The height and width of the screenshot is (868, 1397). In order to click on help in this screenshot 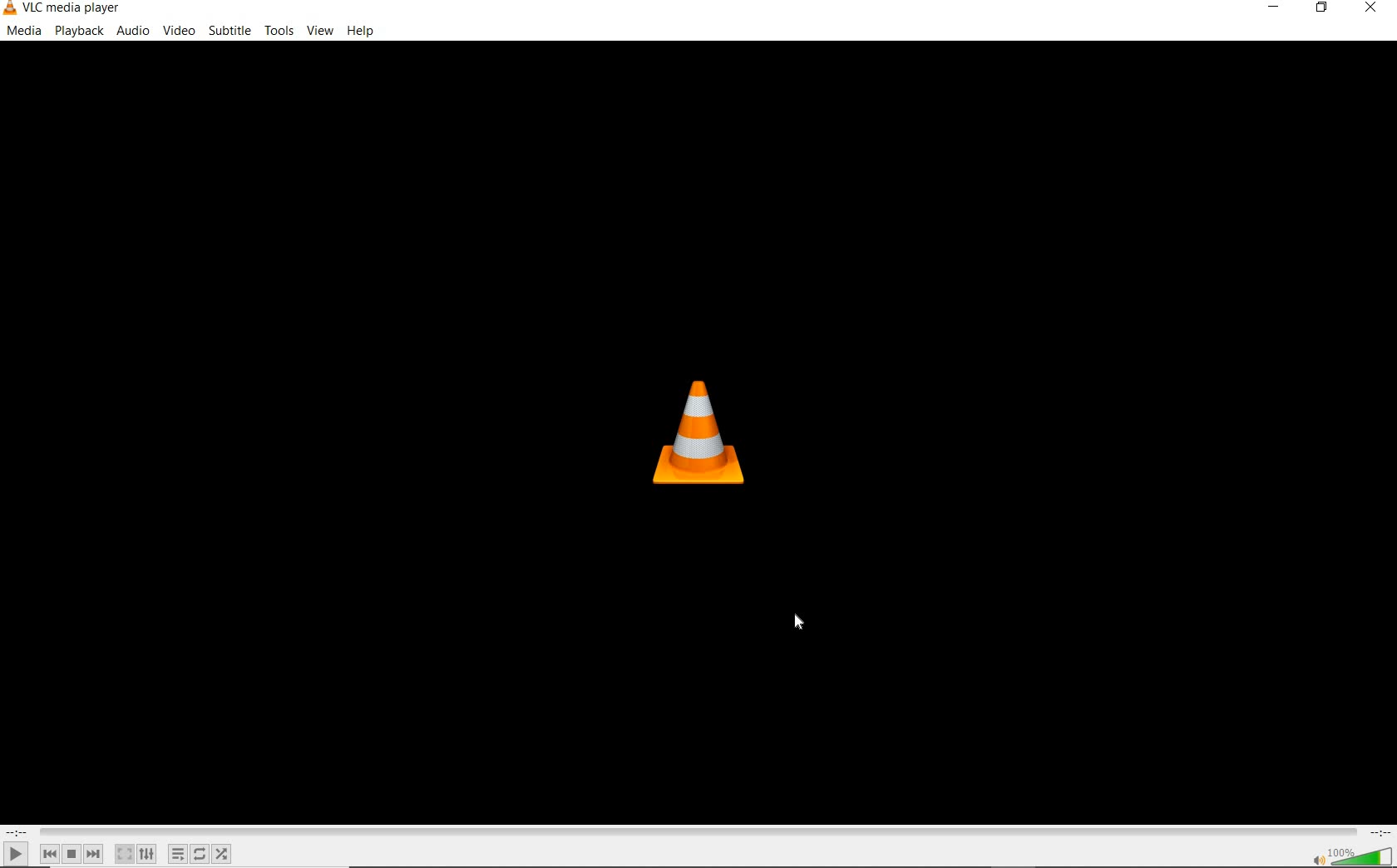, I will do `click(361, 32)`.